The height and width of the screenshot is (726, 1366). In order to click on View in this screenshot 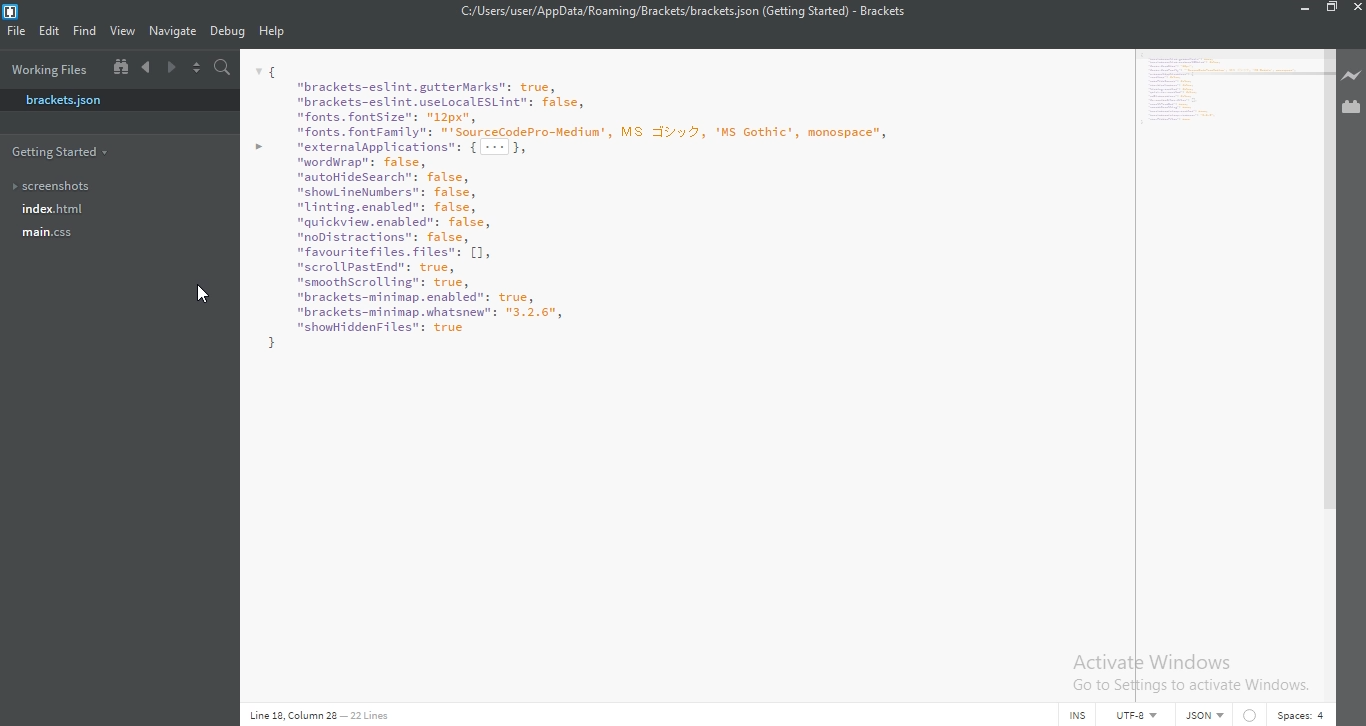, I will do `click(123, 32)`.